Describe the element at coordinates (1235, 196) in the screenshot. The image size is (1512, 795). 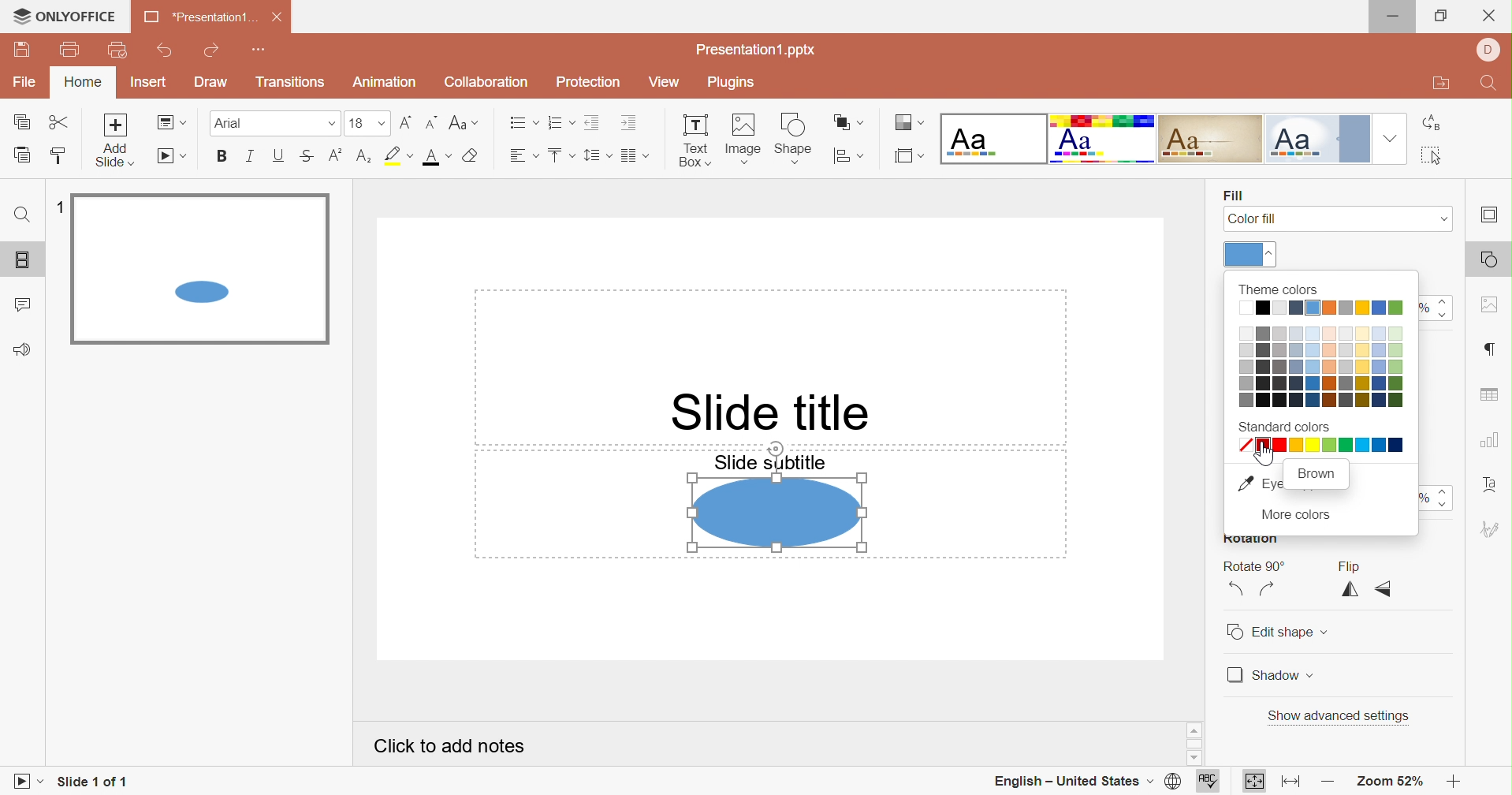
I see `Fill` at that location.